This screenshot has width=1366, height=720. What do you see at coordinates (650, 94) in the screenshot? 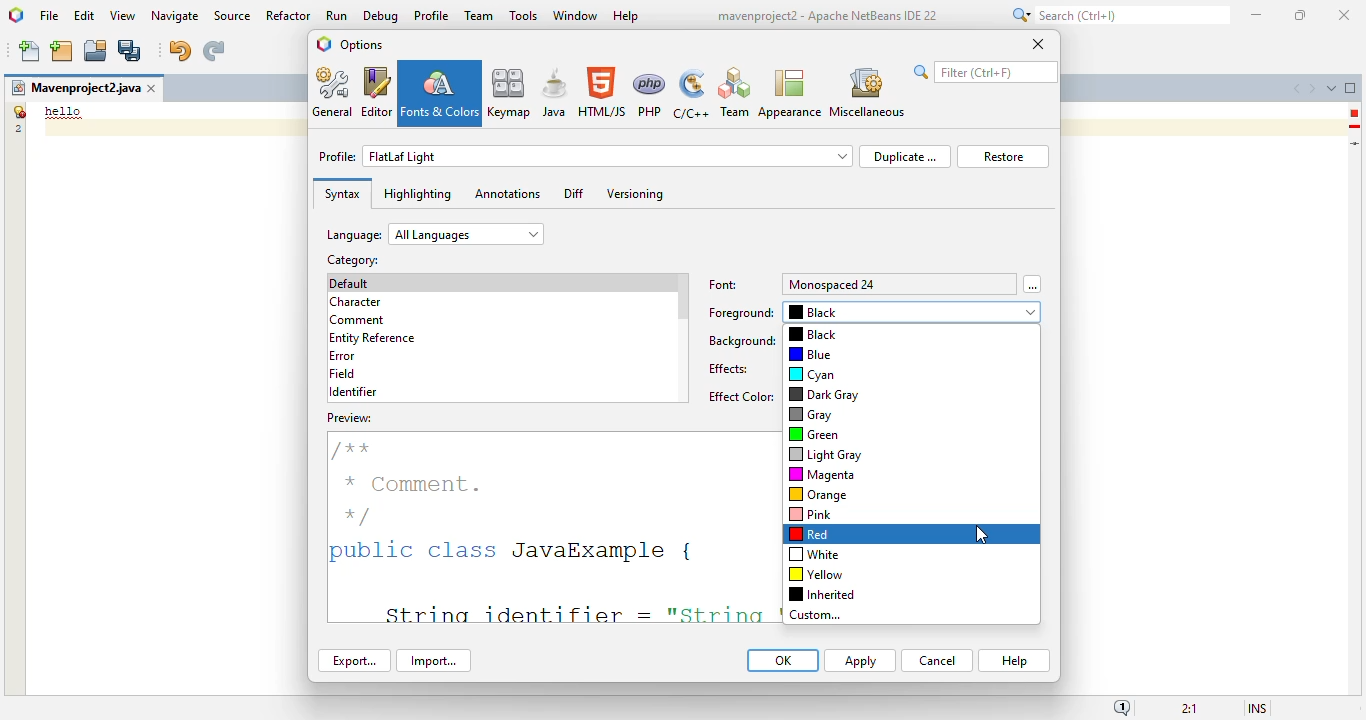
I see `PHP` at bounding box center [650, 94].